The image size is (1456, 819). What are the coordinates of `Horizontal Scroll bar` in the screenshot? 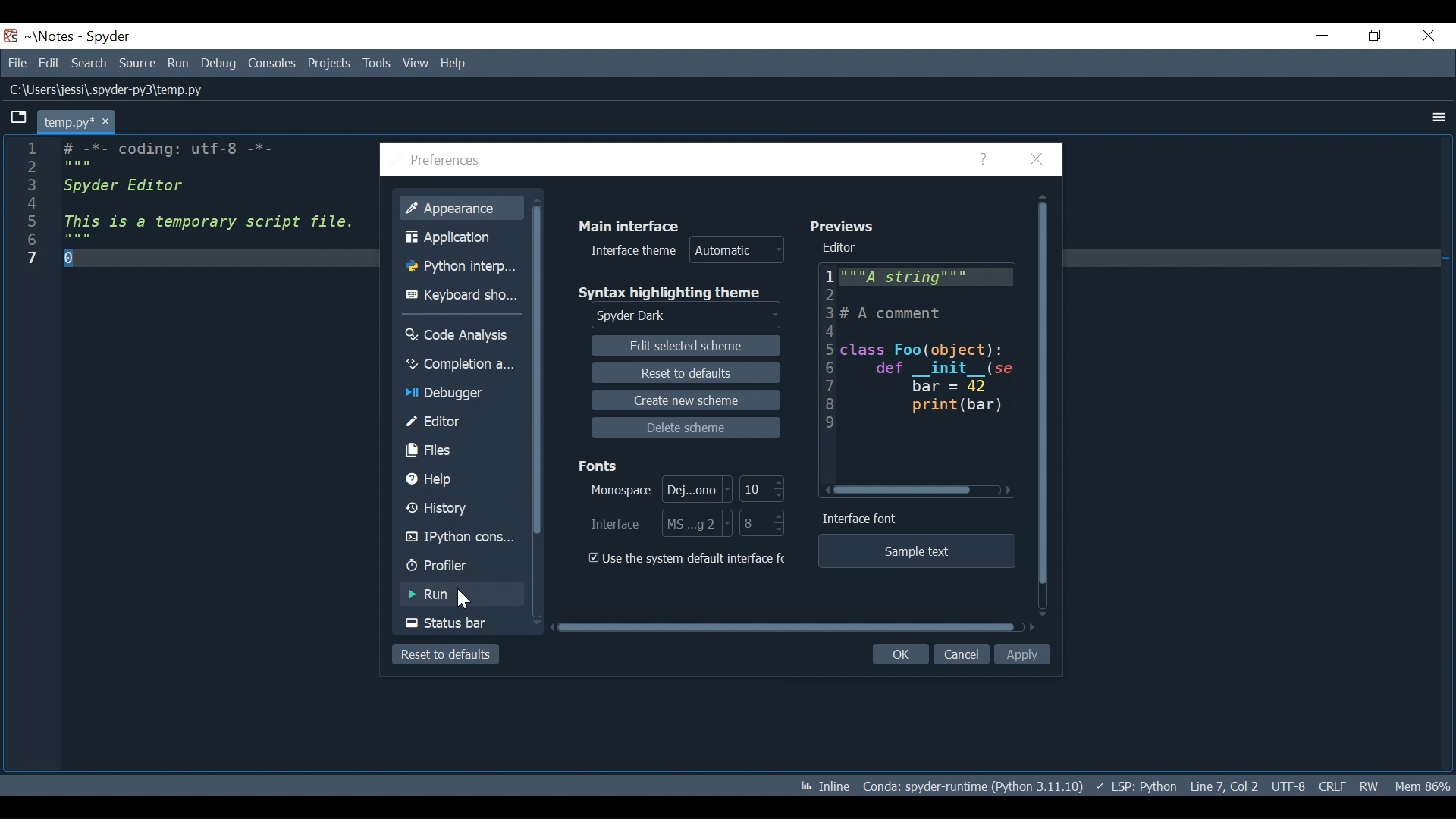 It's located at (915, 491).